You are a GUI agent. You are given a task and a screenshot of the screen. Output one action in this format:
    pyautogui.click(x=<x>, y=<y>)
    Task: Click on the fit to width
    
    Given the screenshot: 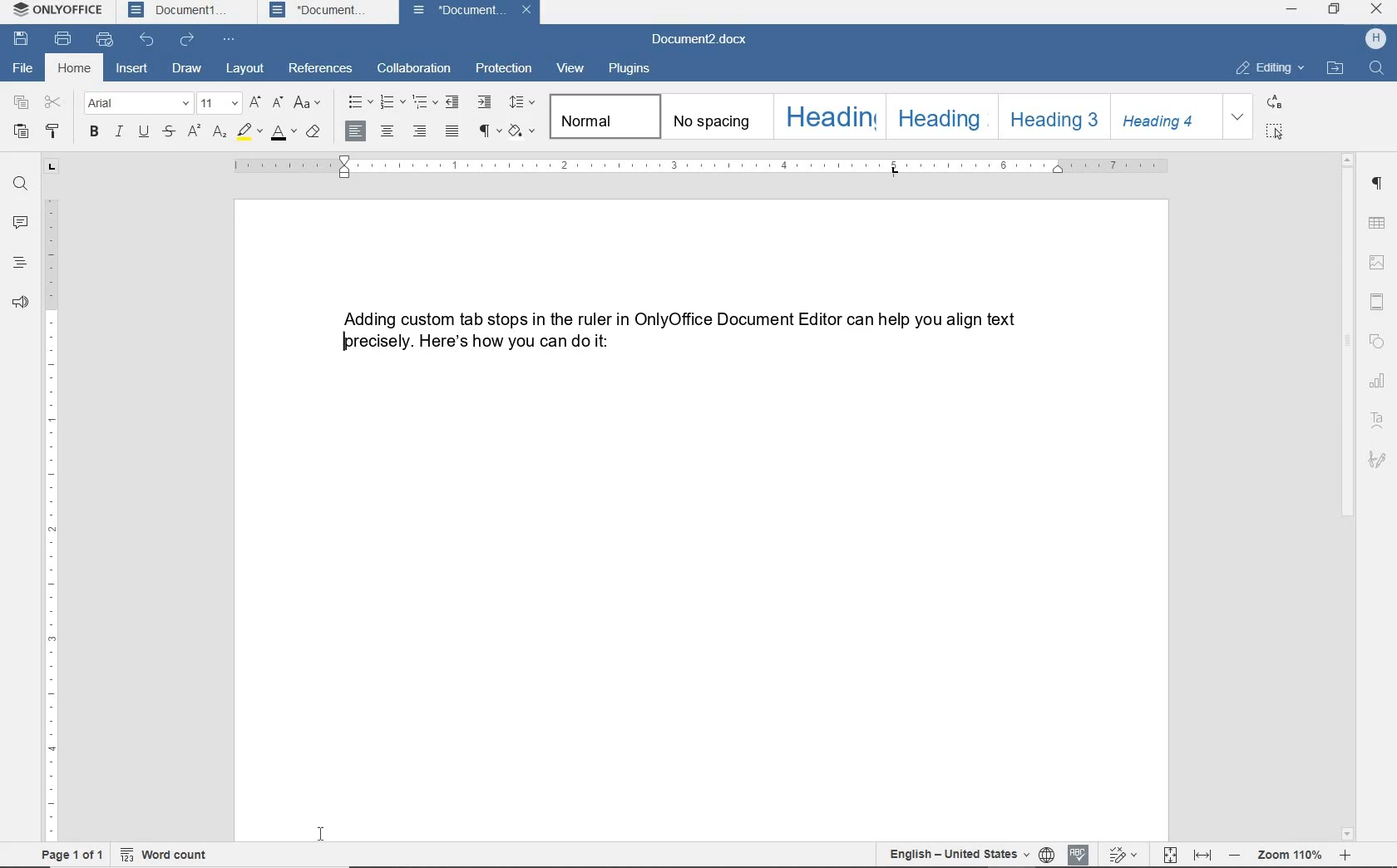 What is the action you would take?
    pyautogui.click(x=1202, y=855)
    